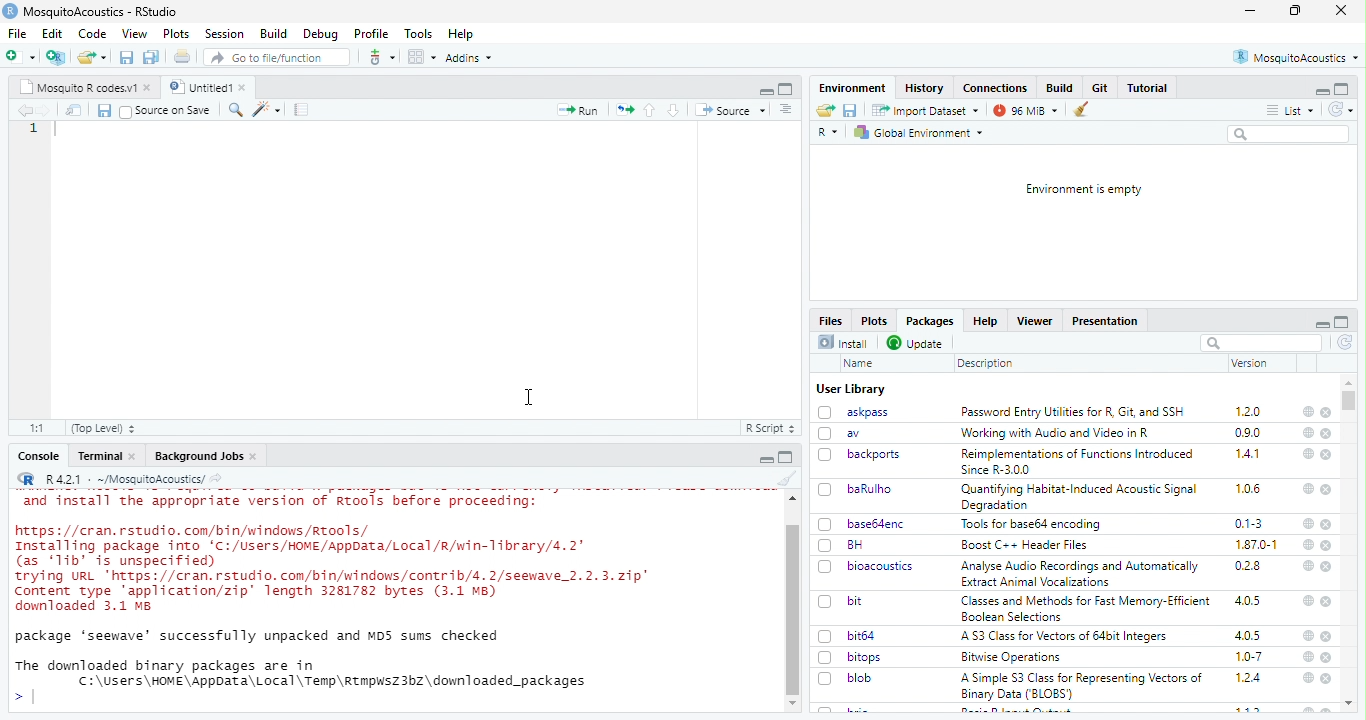 The width and height of the screenshot is (1366, 720). What do you see at coordinates (303, 110) in the screenshot?
I see `Dataset’s ` at bounding box center [303, 110].